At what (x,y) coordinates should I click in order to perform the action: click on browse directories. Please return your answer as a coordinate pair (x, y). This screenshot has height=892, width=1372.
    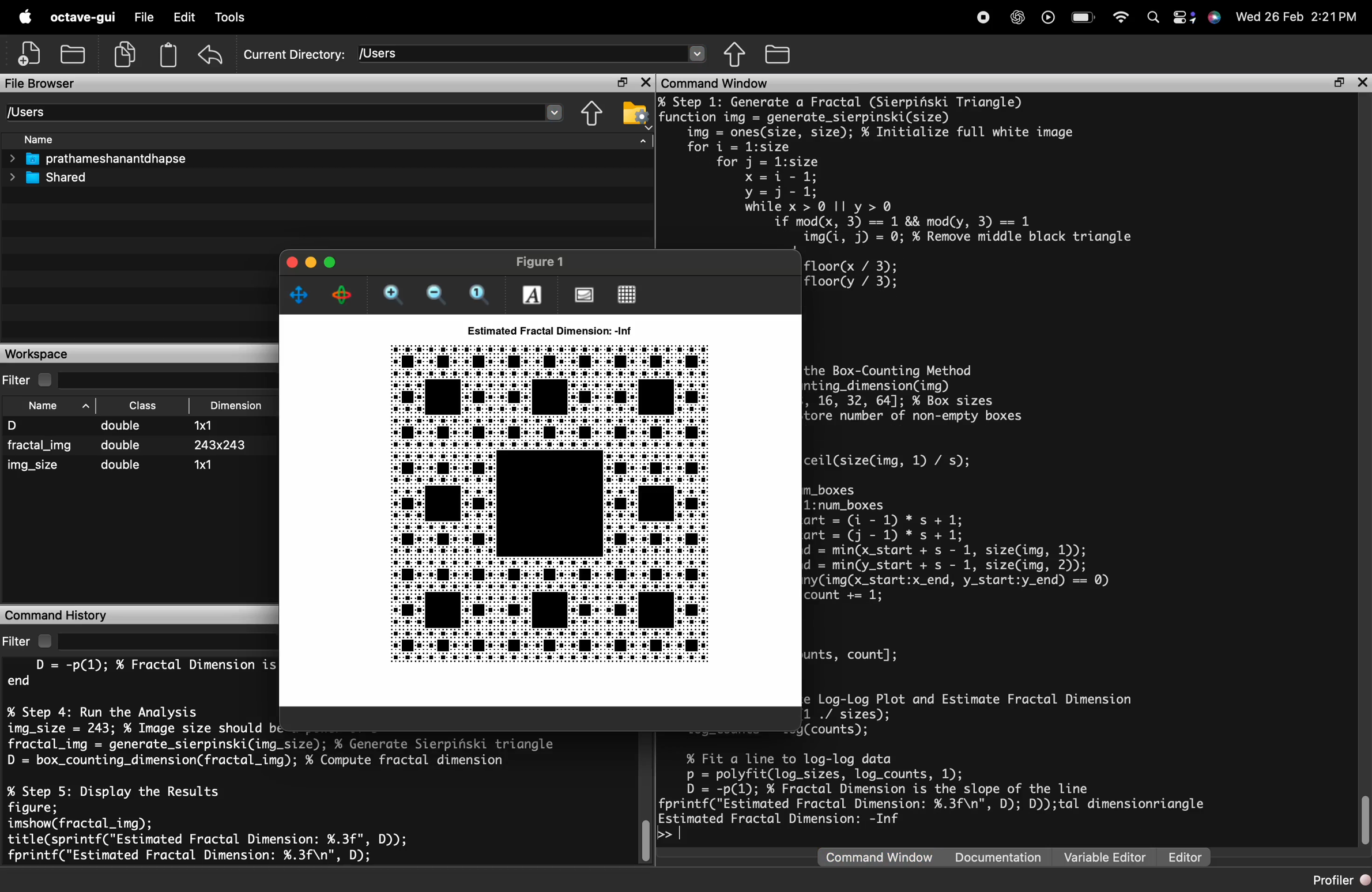
    Looking at the image, I should click on (779, 54).